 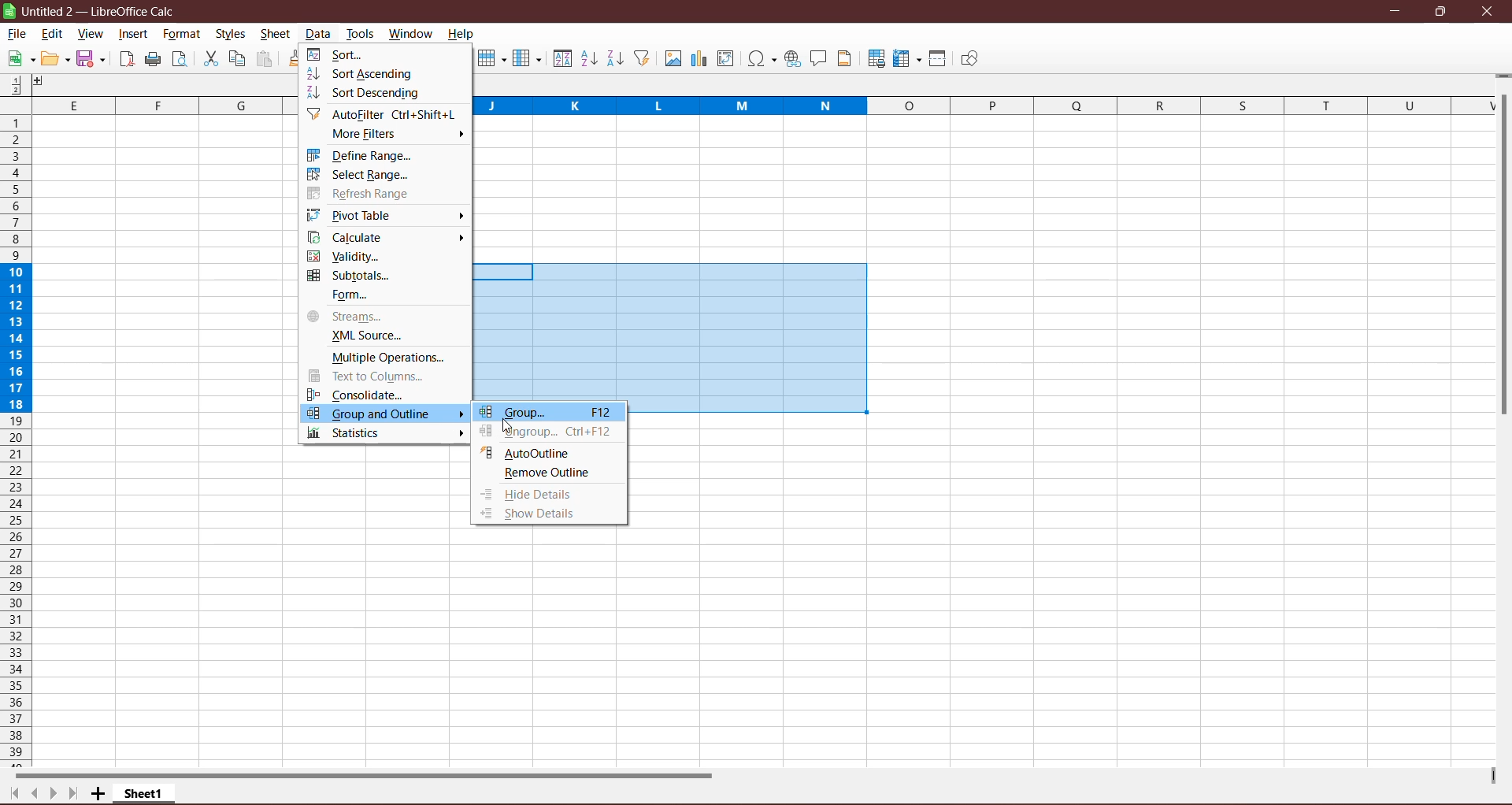 What do you see at coordinates (530, 495) in the screenshot?
I see `Hide details` at bounding box center [530, 495].